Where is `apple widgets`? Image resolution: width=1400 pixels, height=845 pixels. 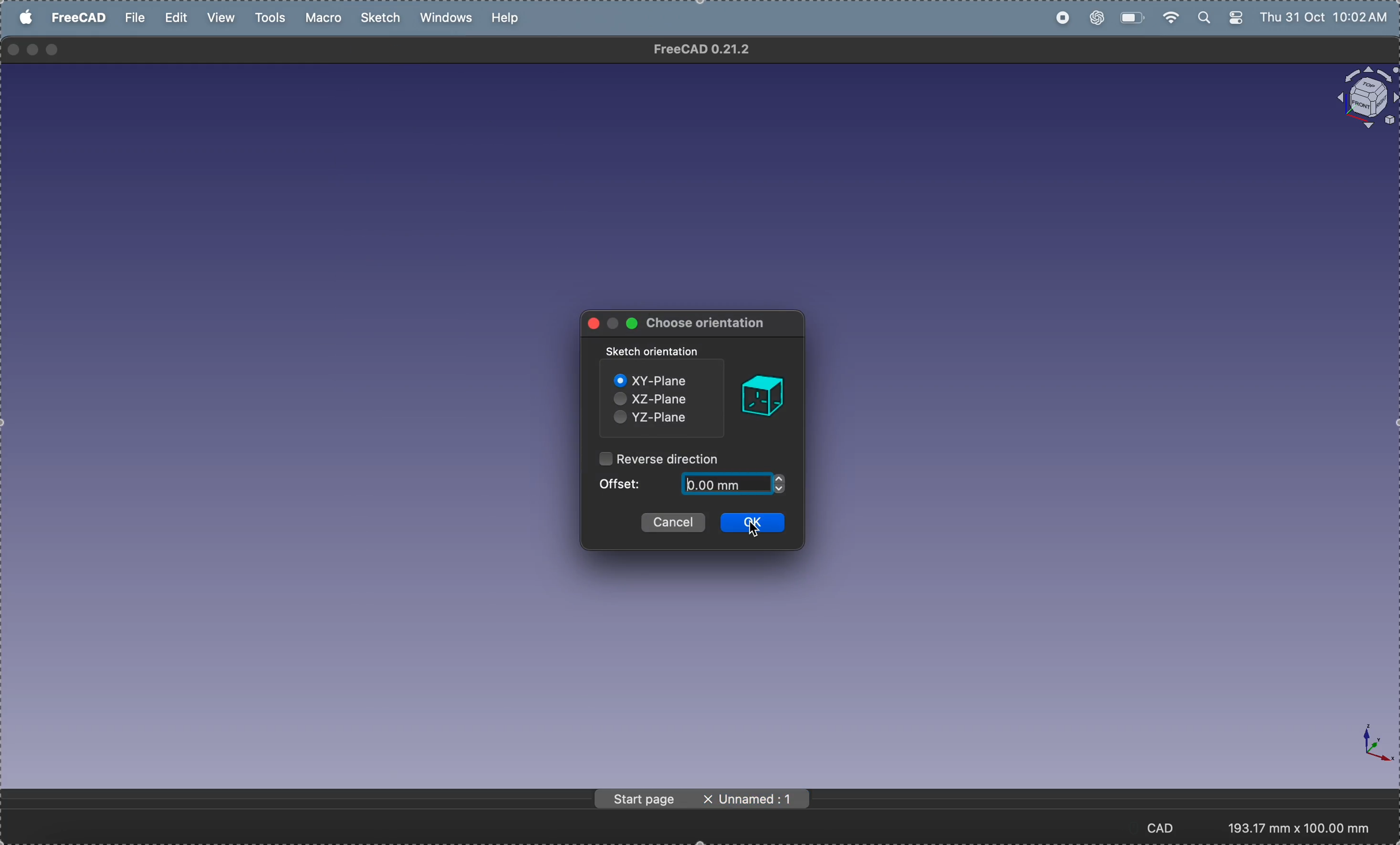
apple widgets is located at coordinates (1222, 18).